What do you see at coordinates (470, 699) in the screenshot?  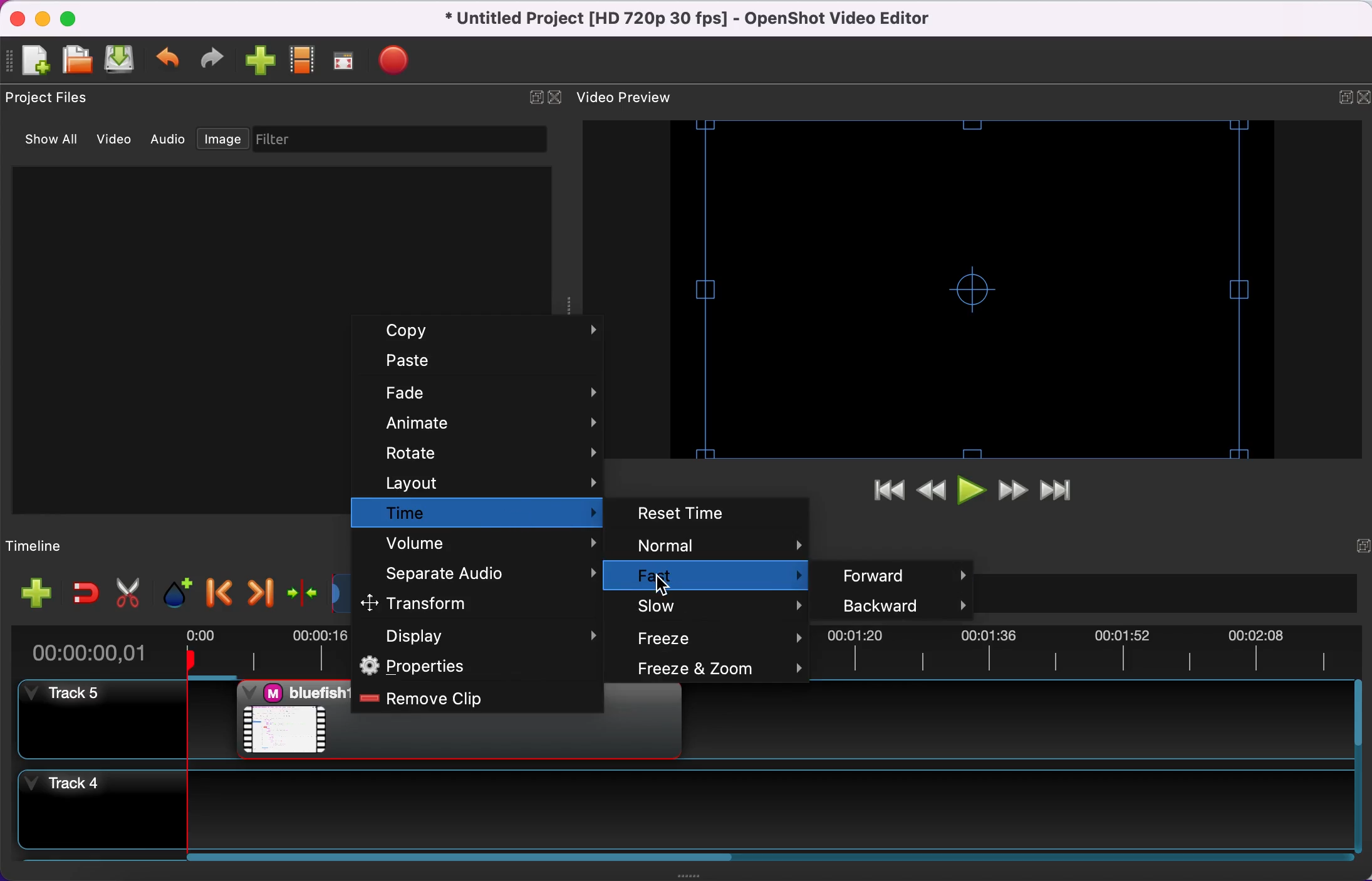 I see `remove clip` at bounding box center [470, 699].